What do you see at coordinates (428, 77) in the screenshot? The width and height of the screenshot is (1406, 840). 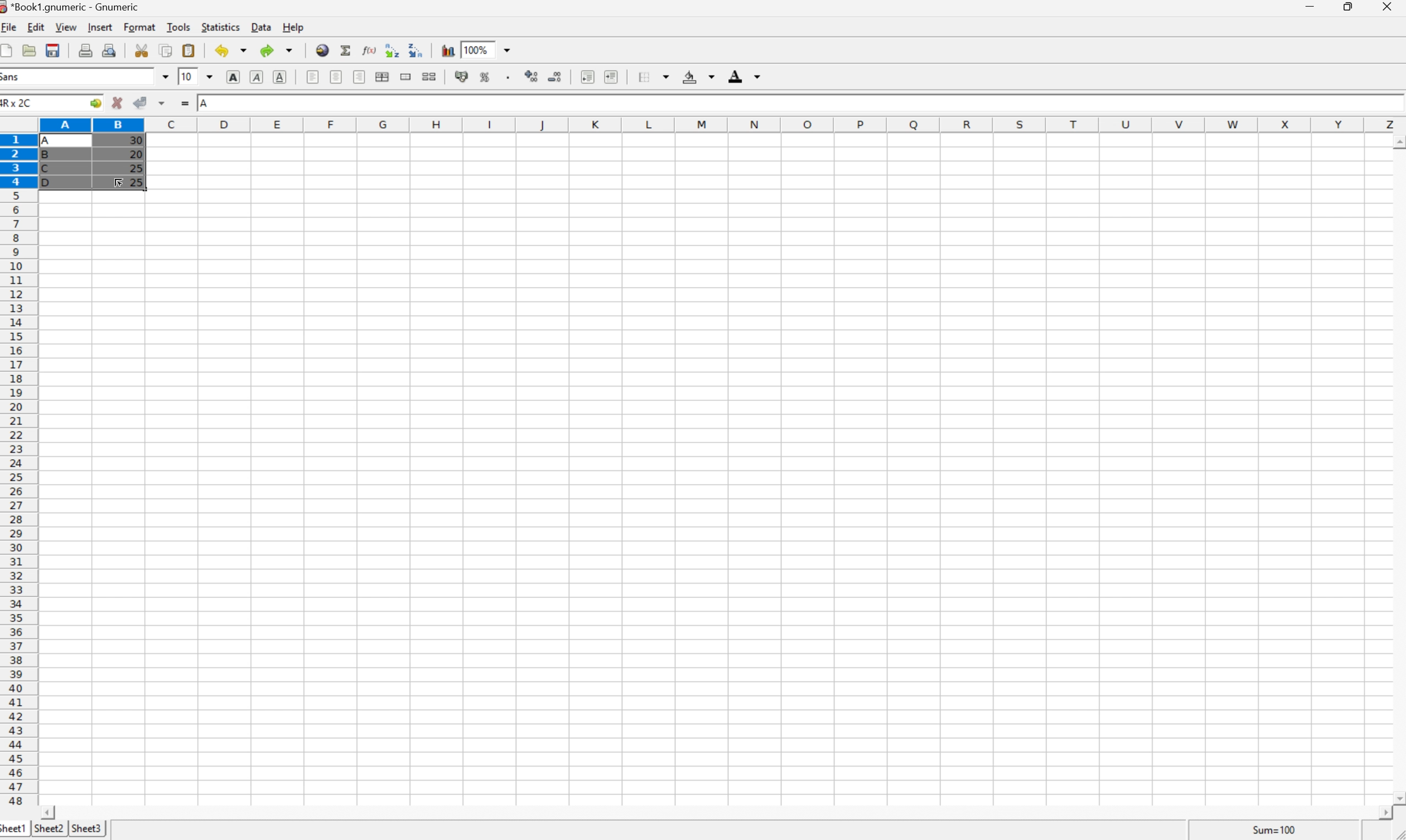 I see `Split merged ranges of cells` at bounding box center [428, 77].